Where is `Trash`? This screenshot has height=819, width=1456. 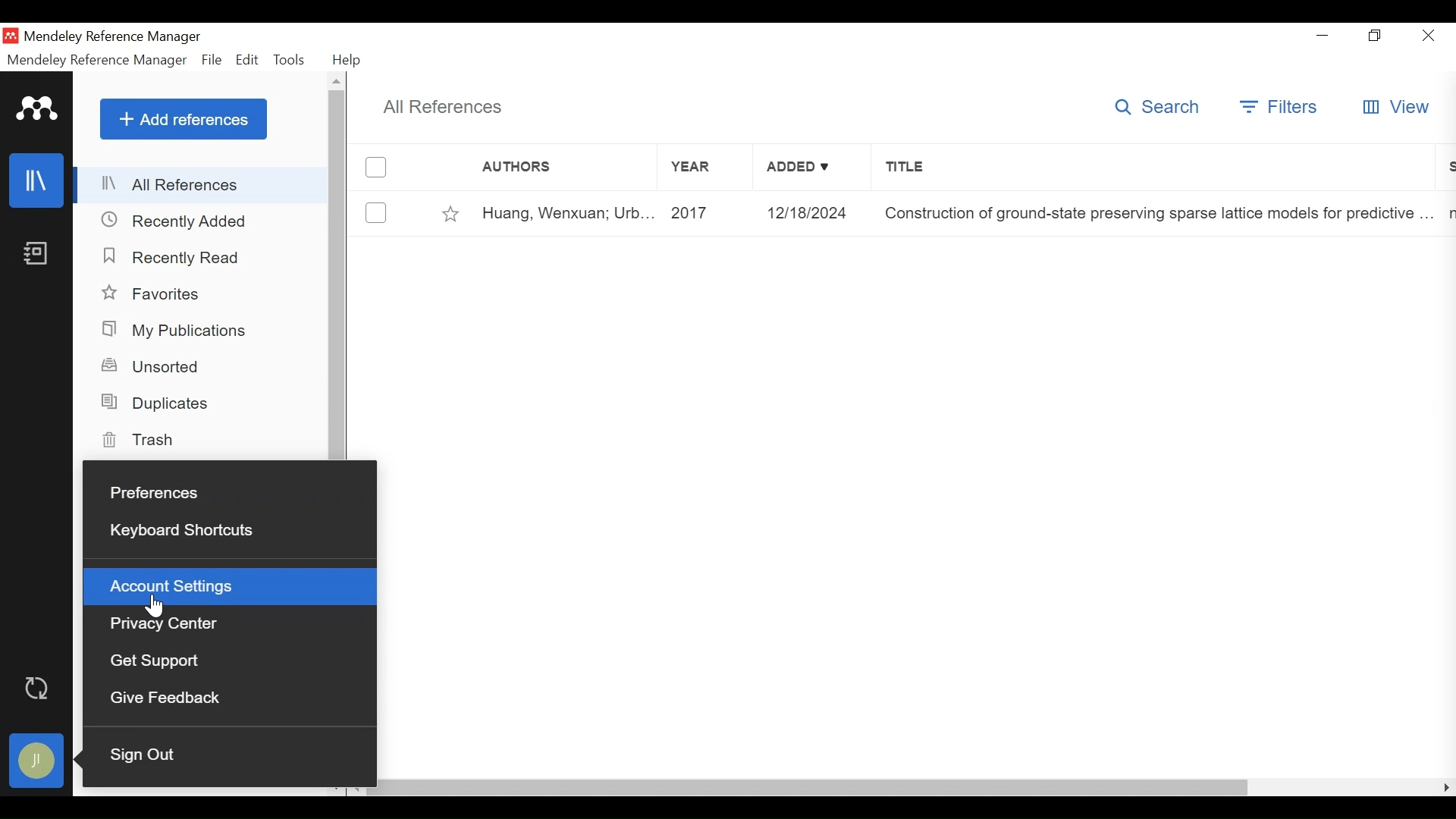
Trash is located at coordinates (149, 441).